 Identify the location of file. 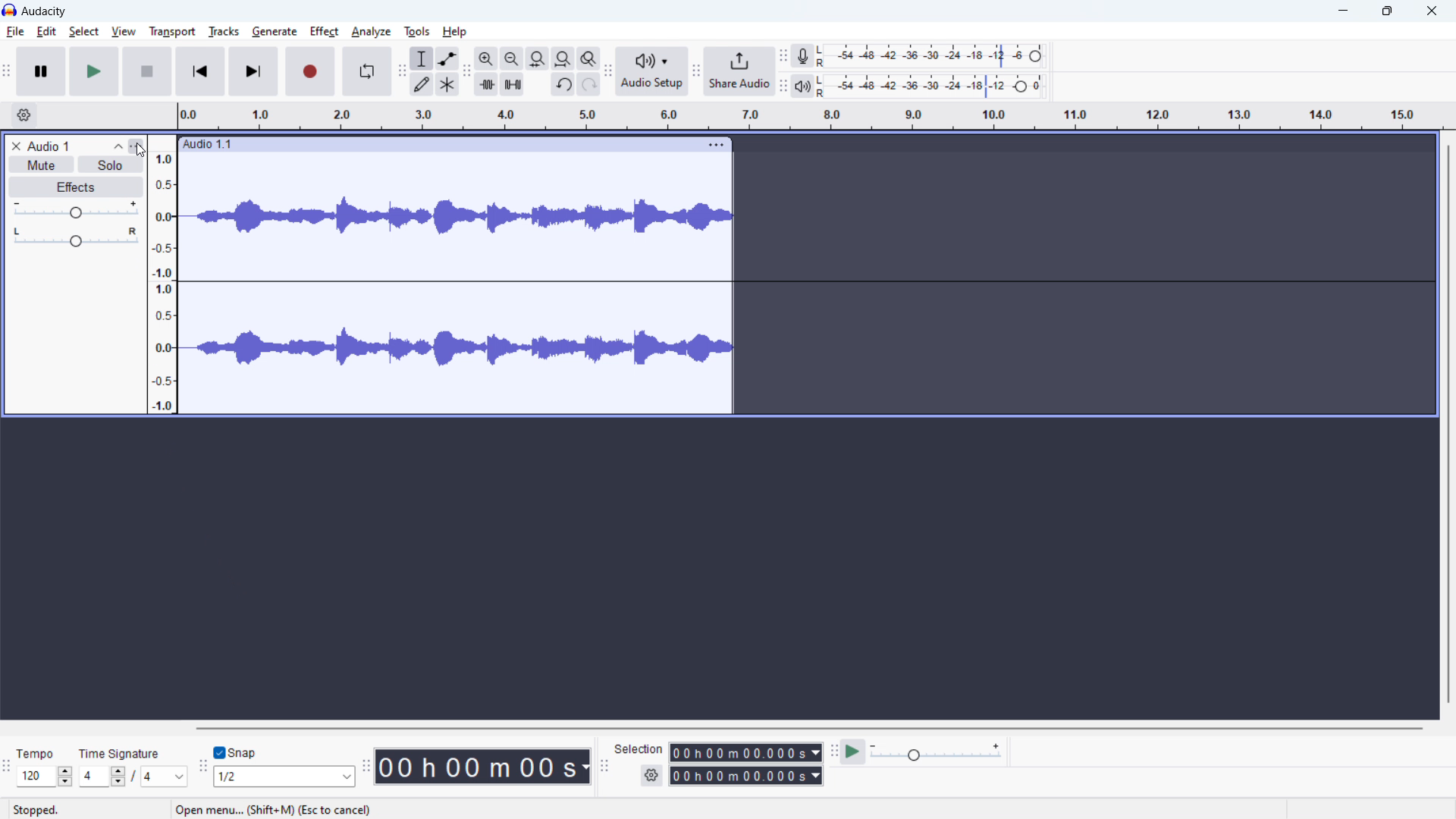
(16, 33).